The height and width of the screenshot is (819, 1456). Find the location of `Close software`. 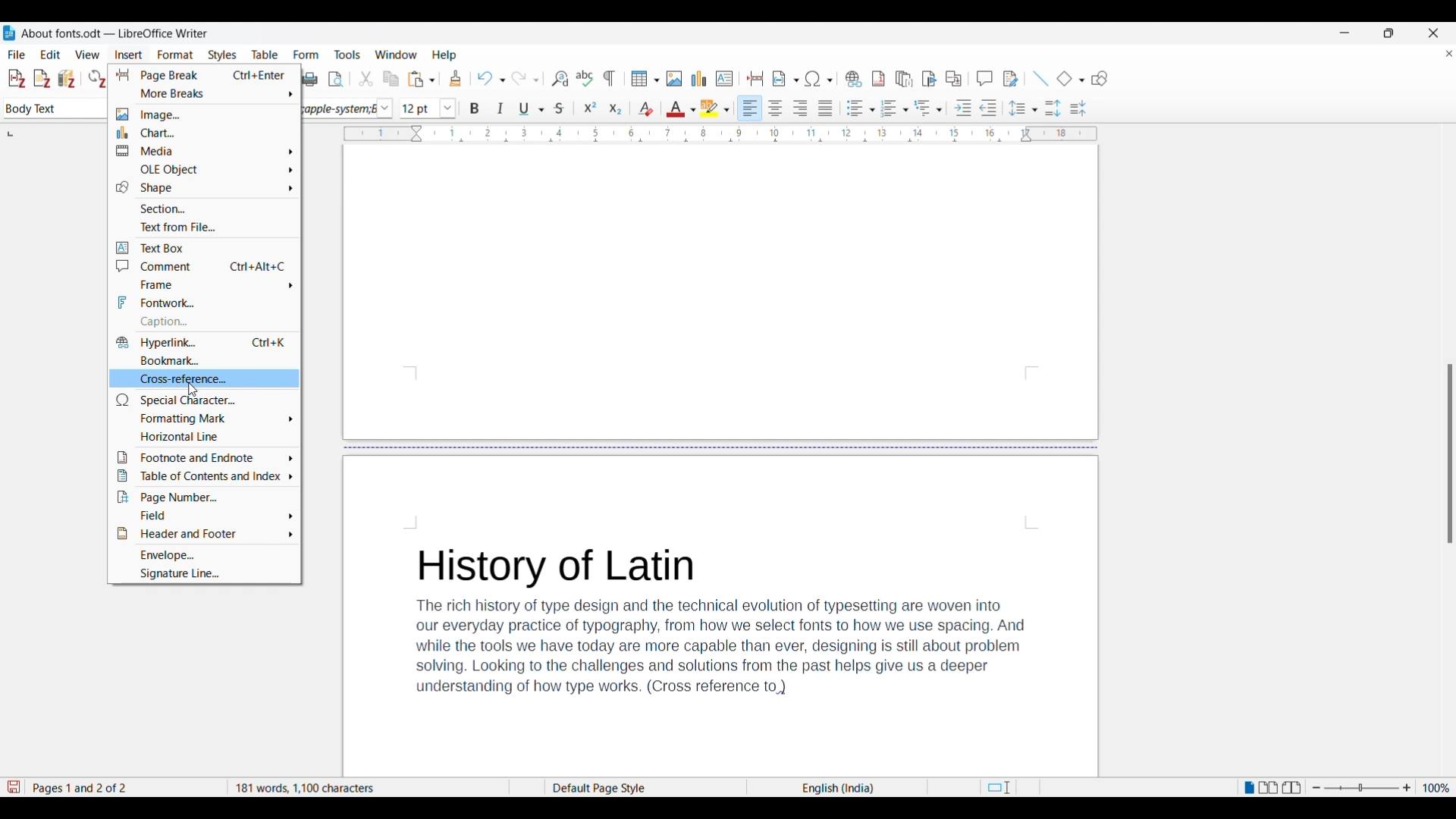

Close software is located at coordinates (1433, 33).